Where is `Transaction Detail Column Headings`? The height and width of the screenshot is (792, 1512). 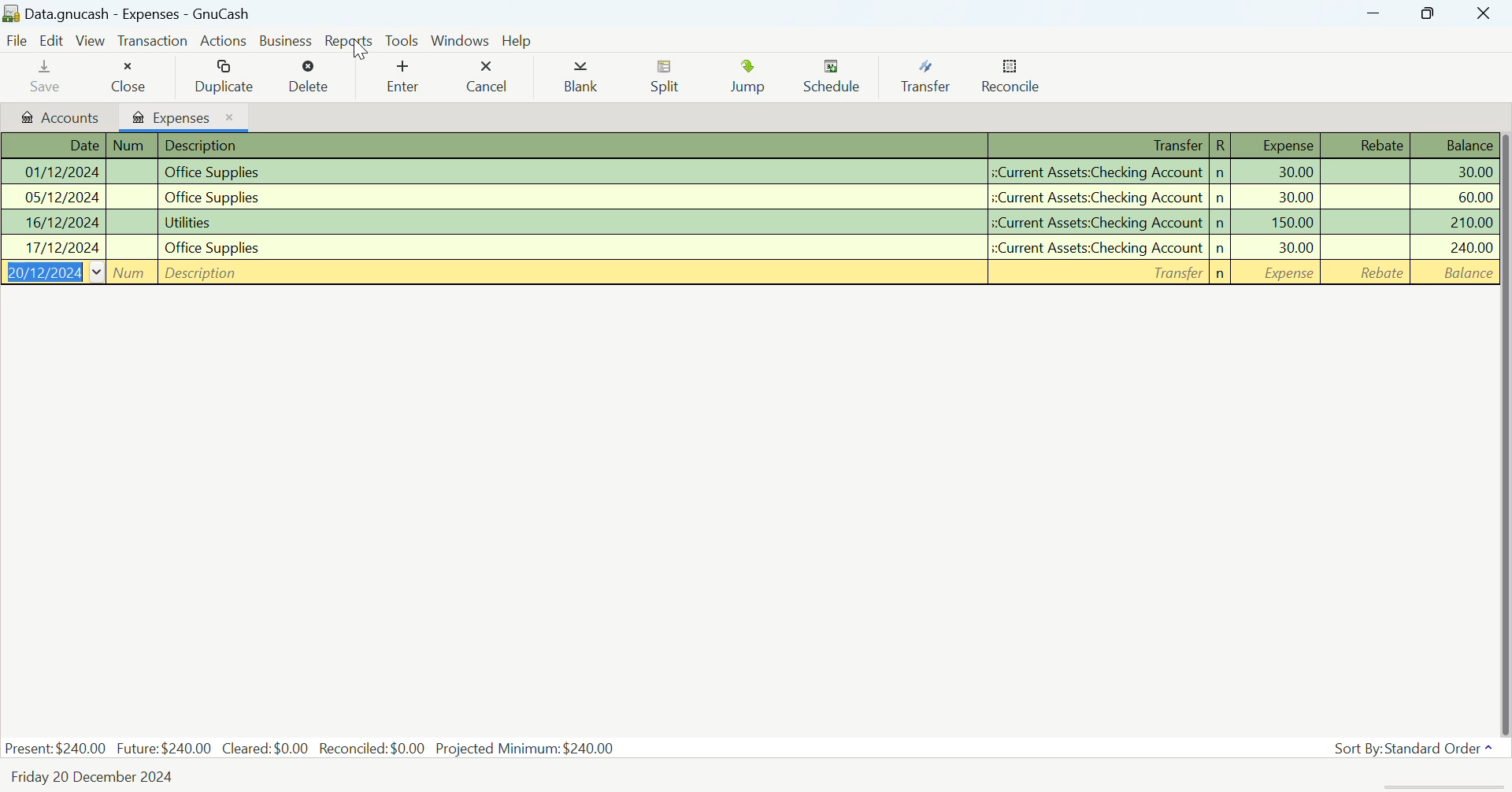
Transaction Detail Column Headings is located at coordinates (750, 146).